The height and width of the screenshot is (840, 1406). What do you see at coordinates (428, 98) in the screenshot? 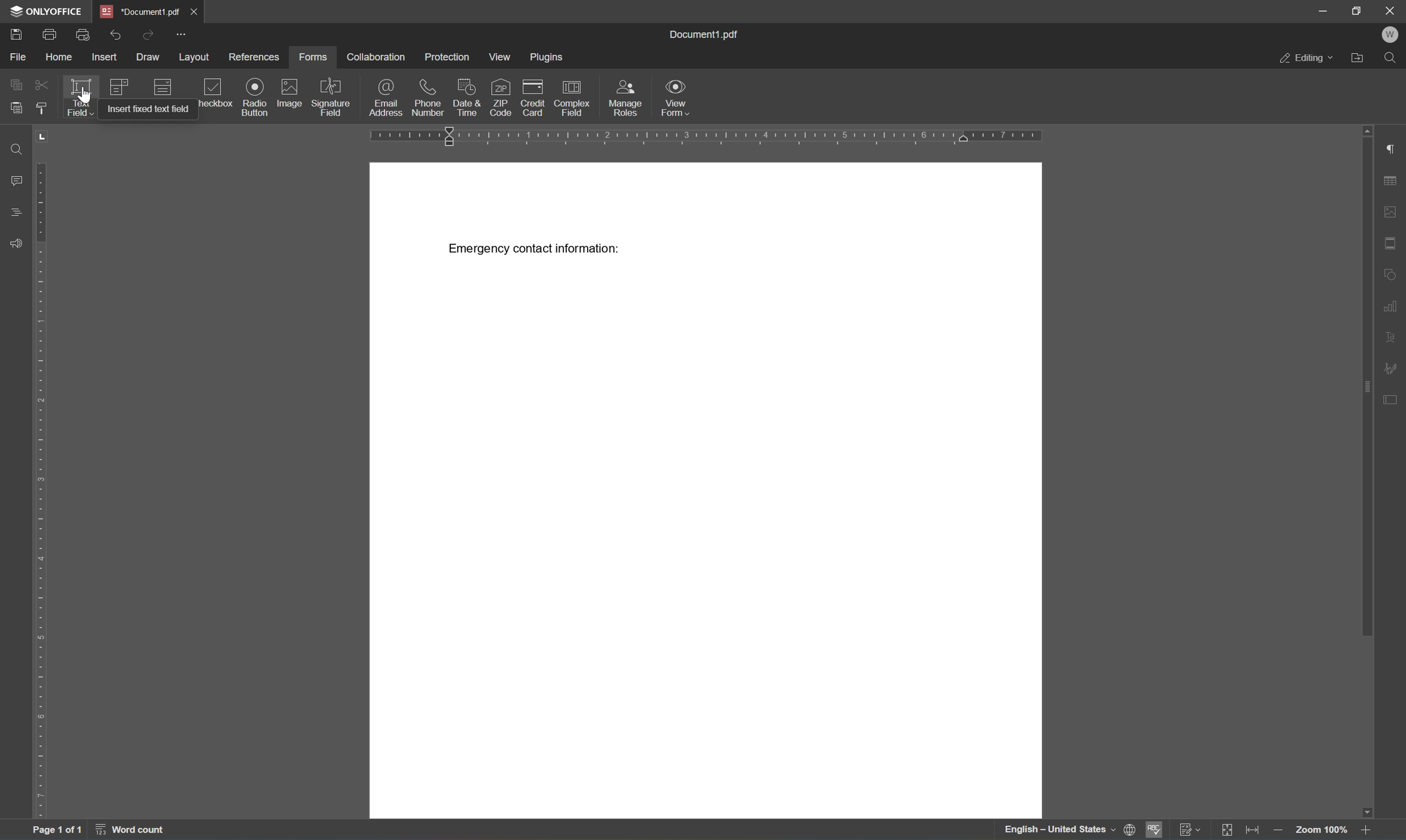
I see `phone number` at bounding box center [428, 98].